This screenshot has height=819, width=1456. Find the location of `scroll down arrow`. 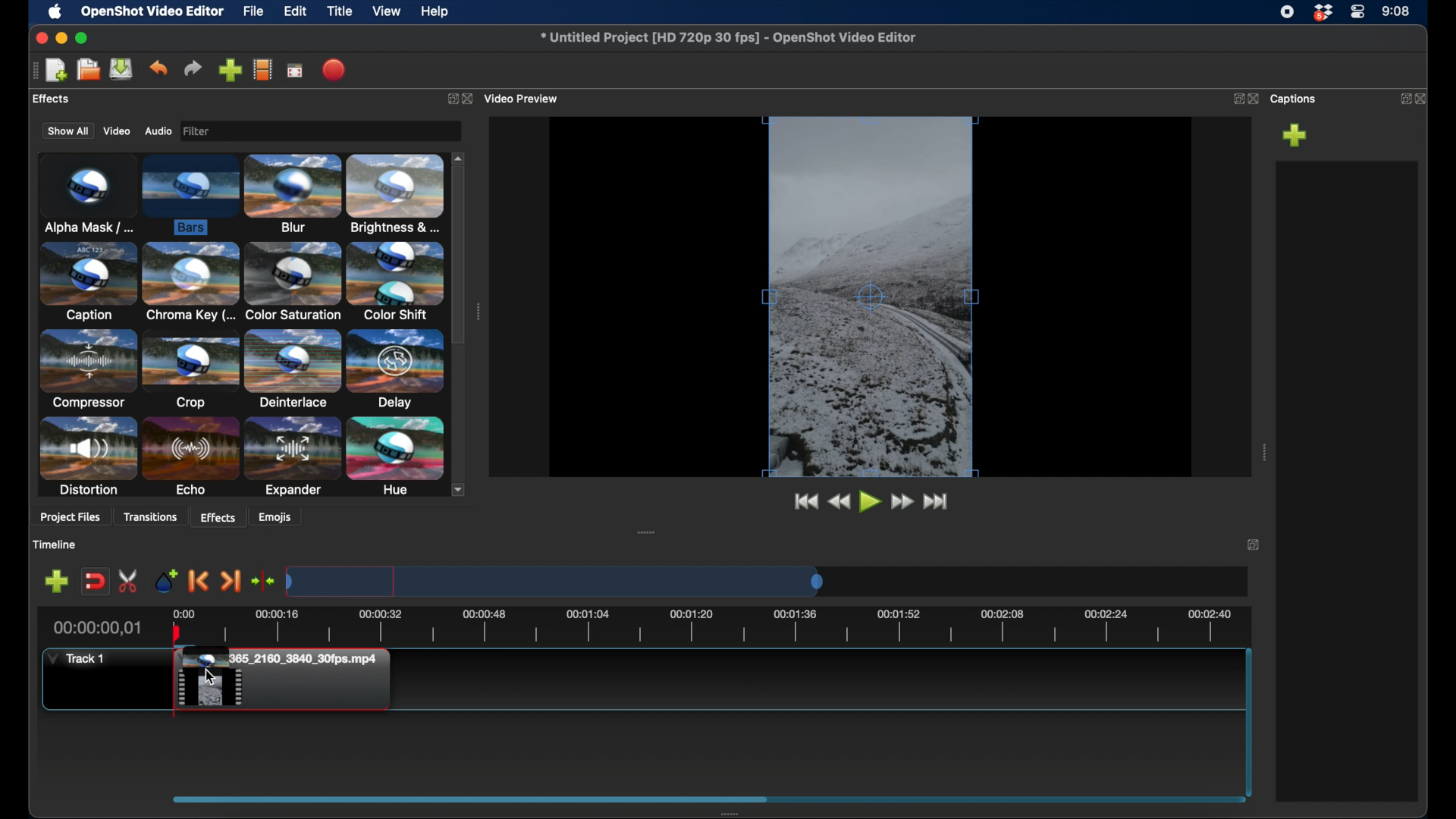

scroll down arrow is located at coordinates (463, 489).